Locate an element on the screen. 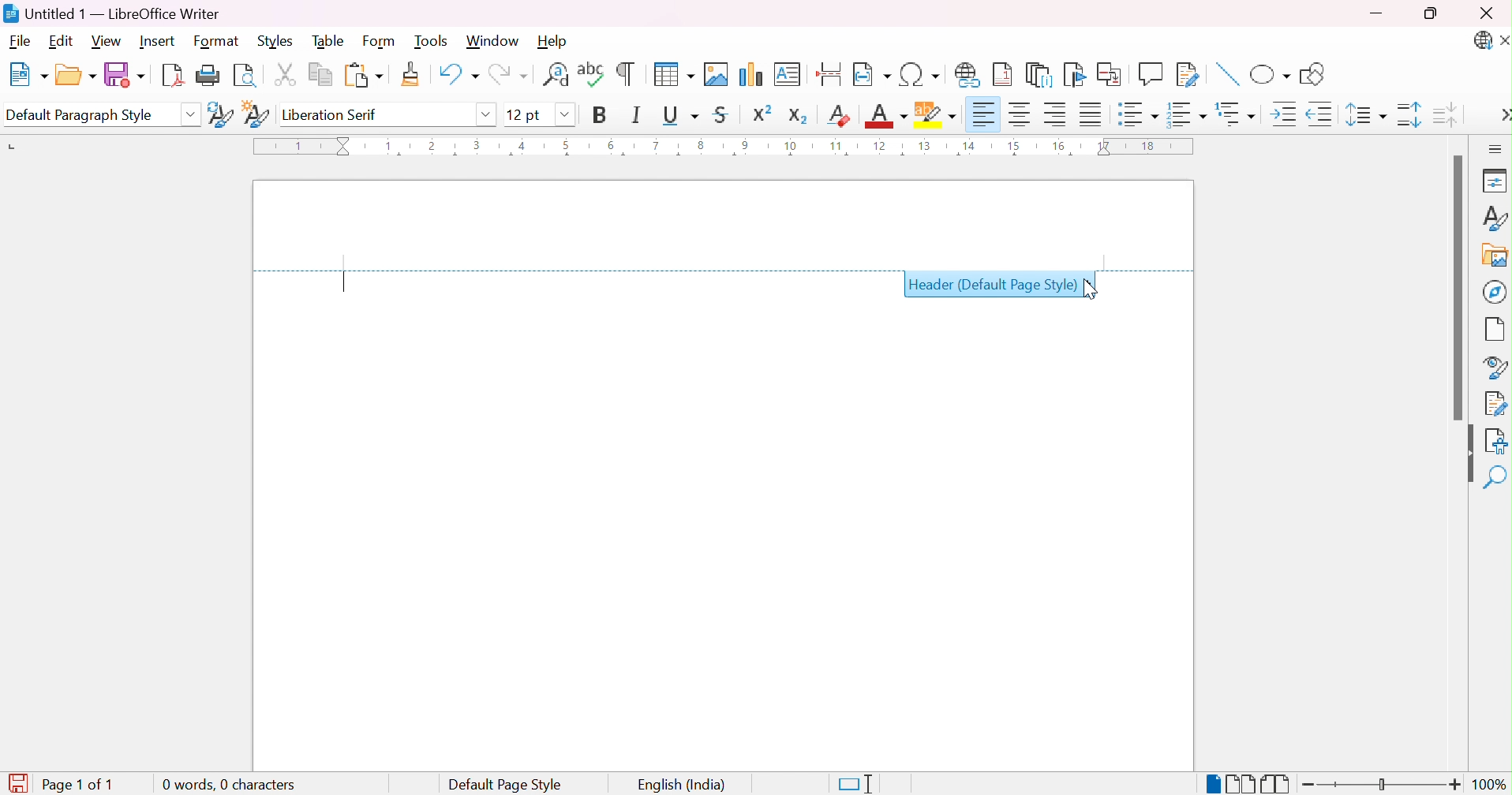 The width and height of the screenshot is (1512, 795). Hide is located at coordinates (1465, 453).